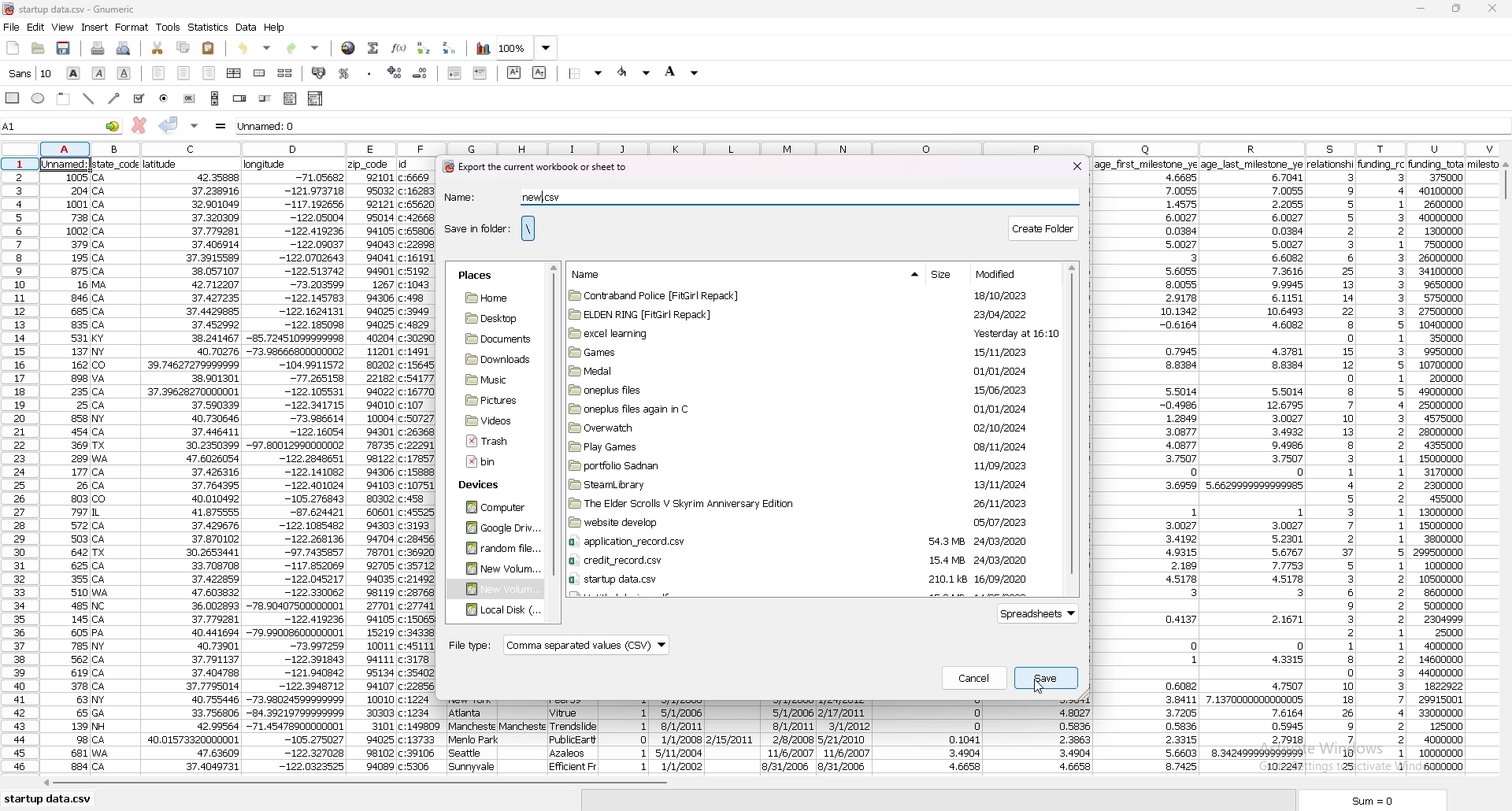  What do you see at coordinates (317, 98) in the screenshot?
I see `combo box` at bounding box center [317, 98].